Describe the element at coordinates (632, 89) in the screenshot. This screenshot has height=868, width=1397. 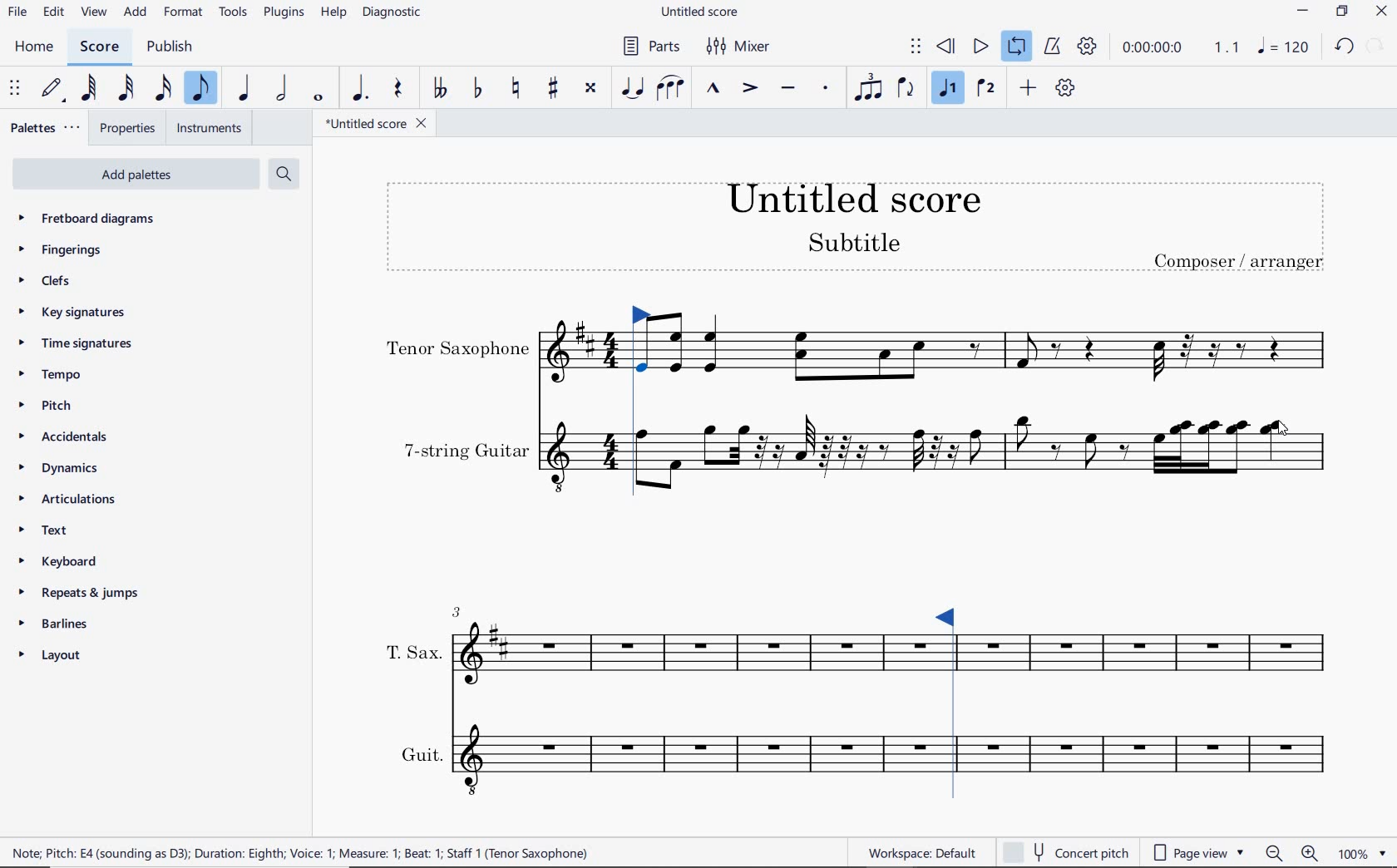
I see `TIE` at that location.